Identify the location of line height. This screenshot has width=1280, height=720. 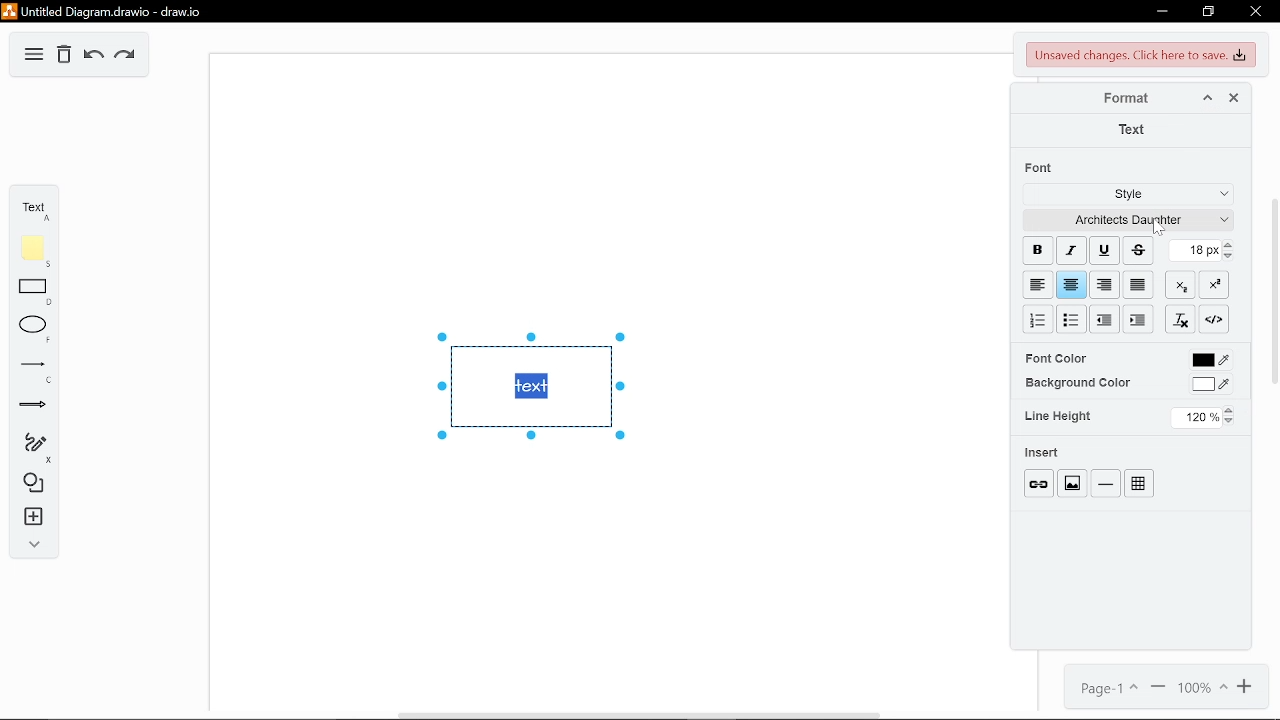
(1058, 416).